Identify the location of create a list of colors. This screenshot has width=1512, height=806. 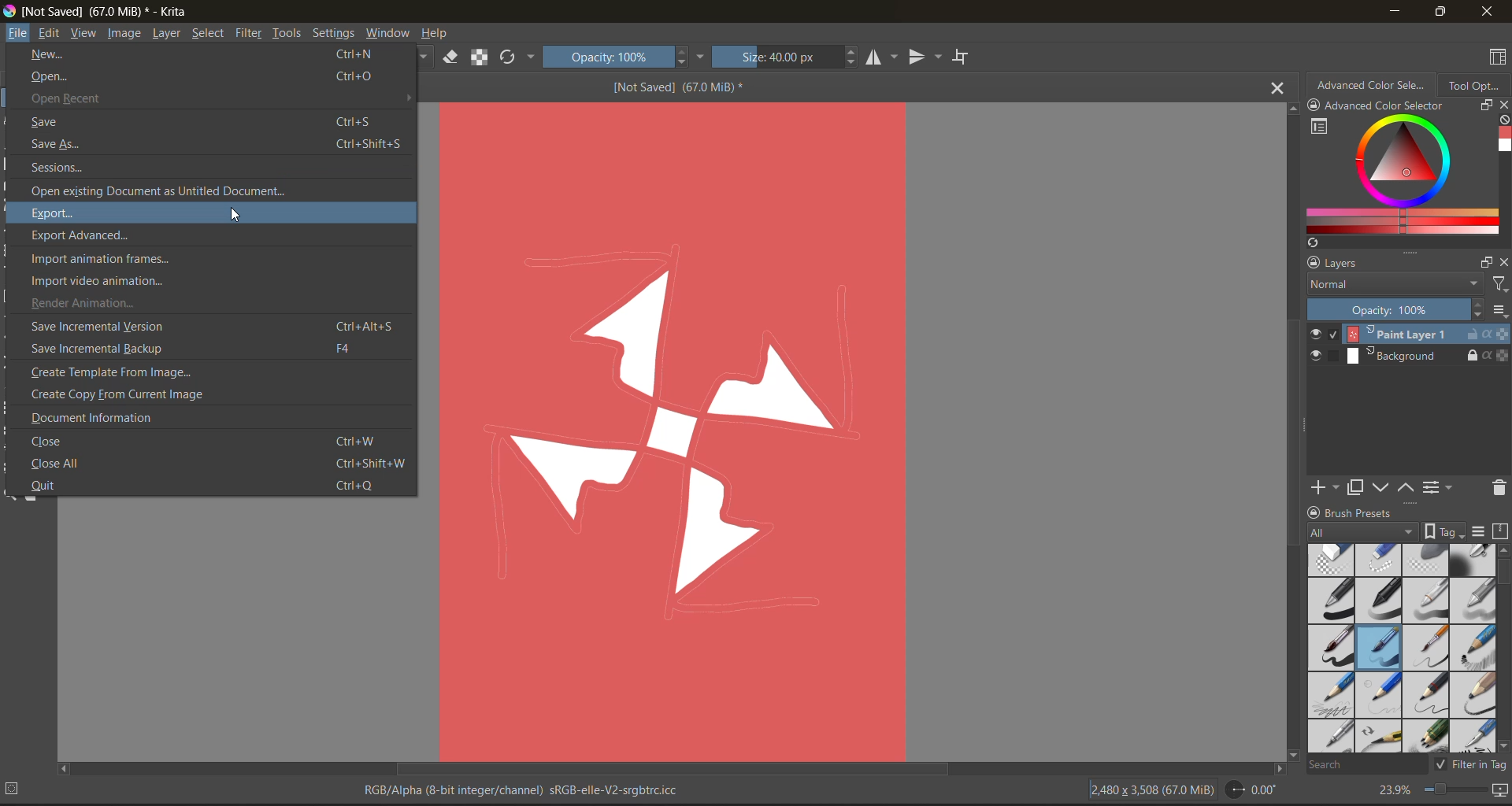
(1313, 244).